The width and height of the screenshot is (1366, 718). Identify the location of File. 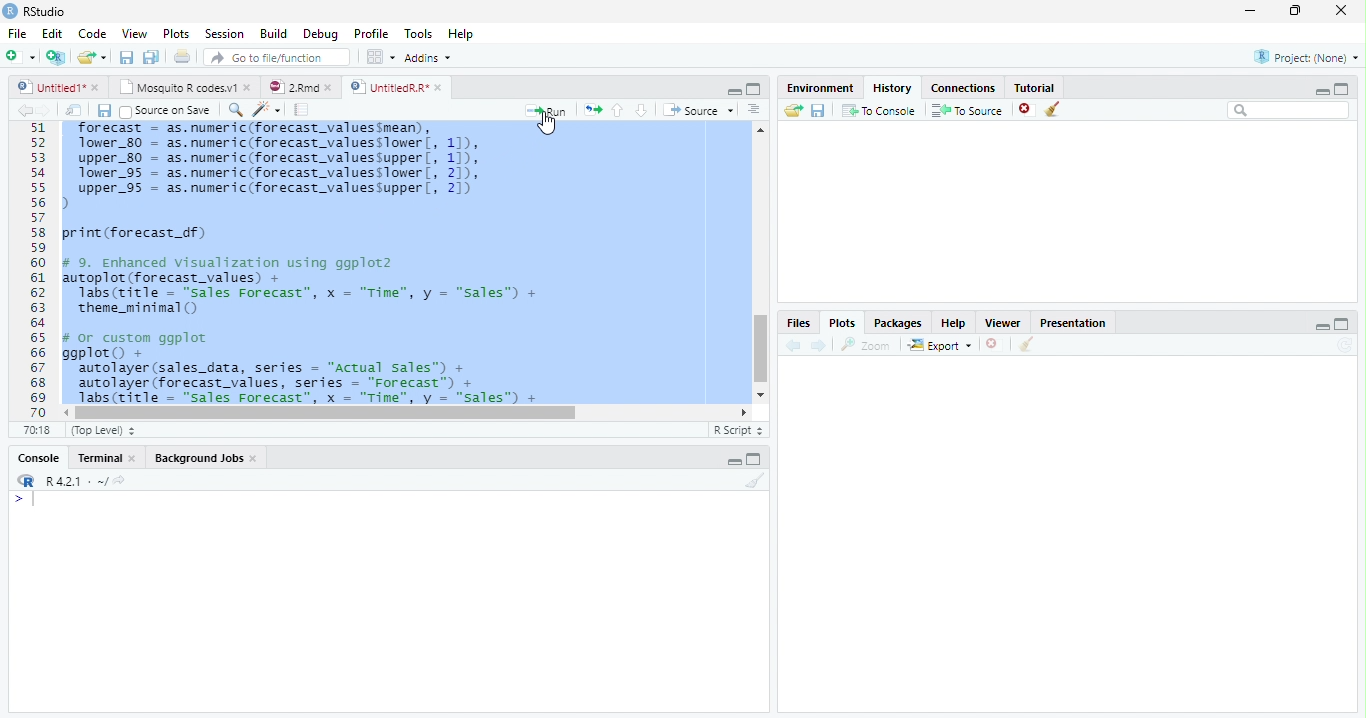
(17, 33).